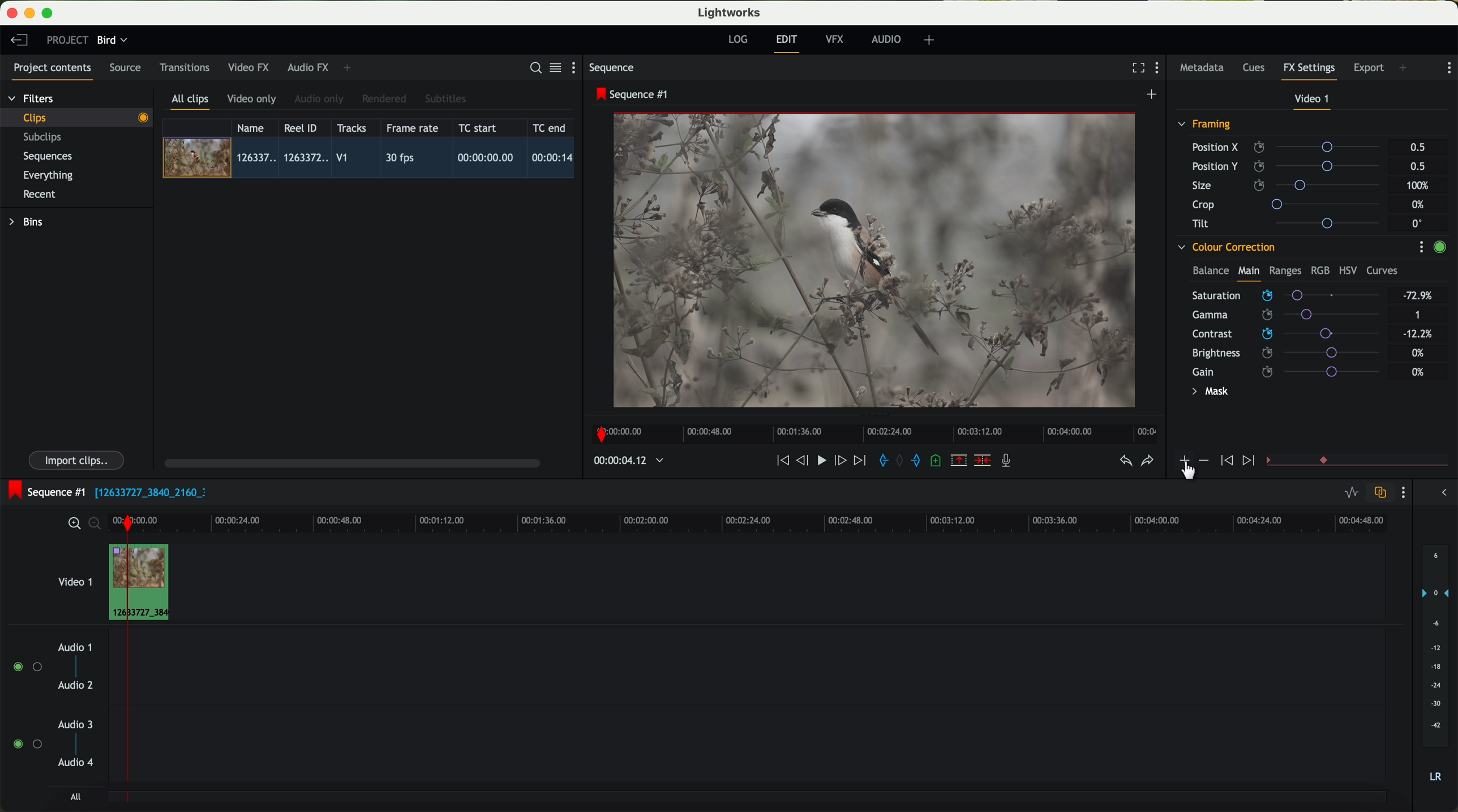 The image size is (1458, 812). I want to click on audio 2, so click(76, 686).